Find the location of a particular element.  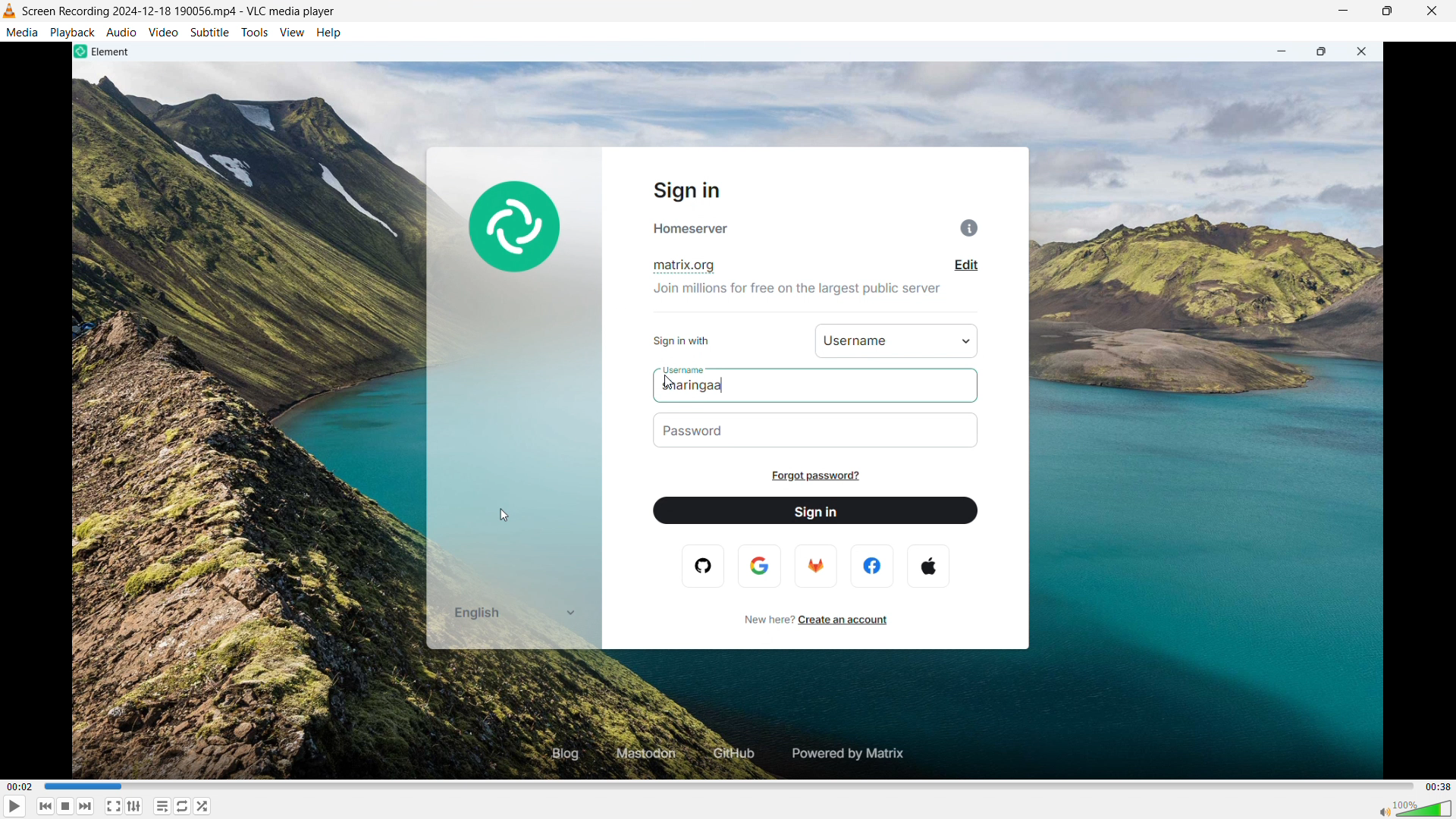

close is located at coordinates (1432, 11).